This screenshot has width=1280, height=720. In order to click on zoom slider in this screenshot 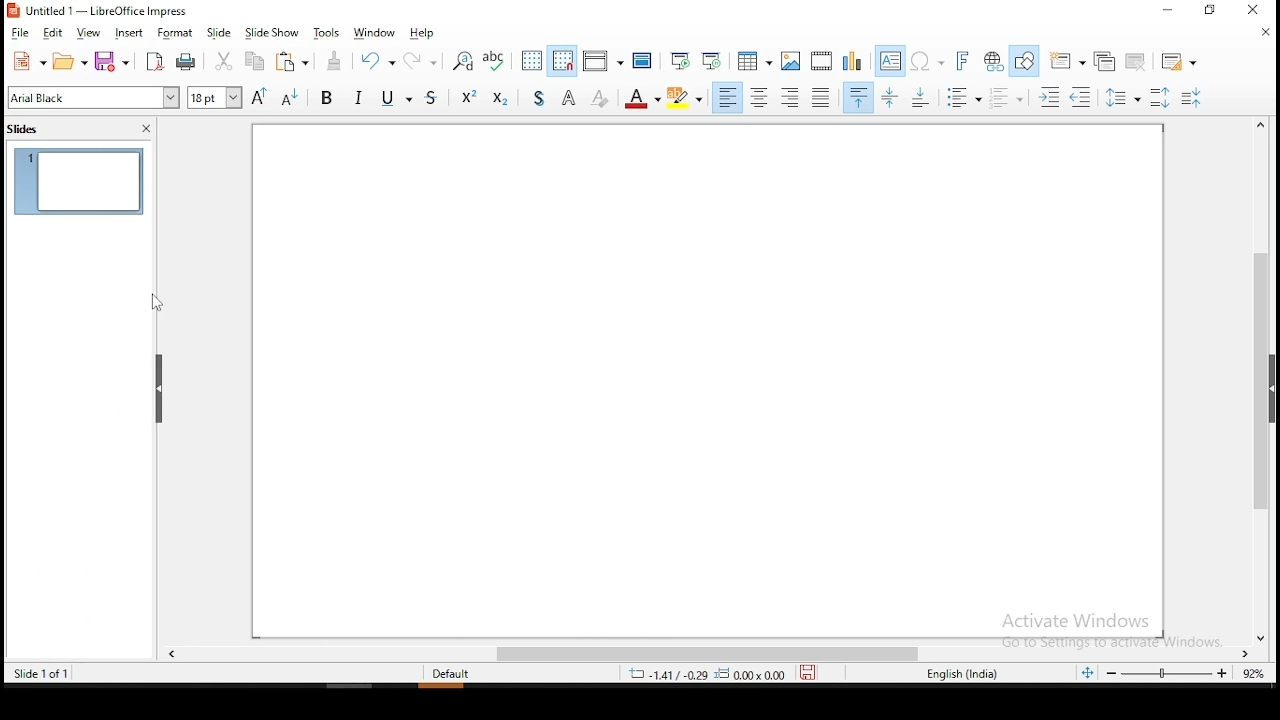, I will do `click(1169, 675)`.